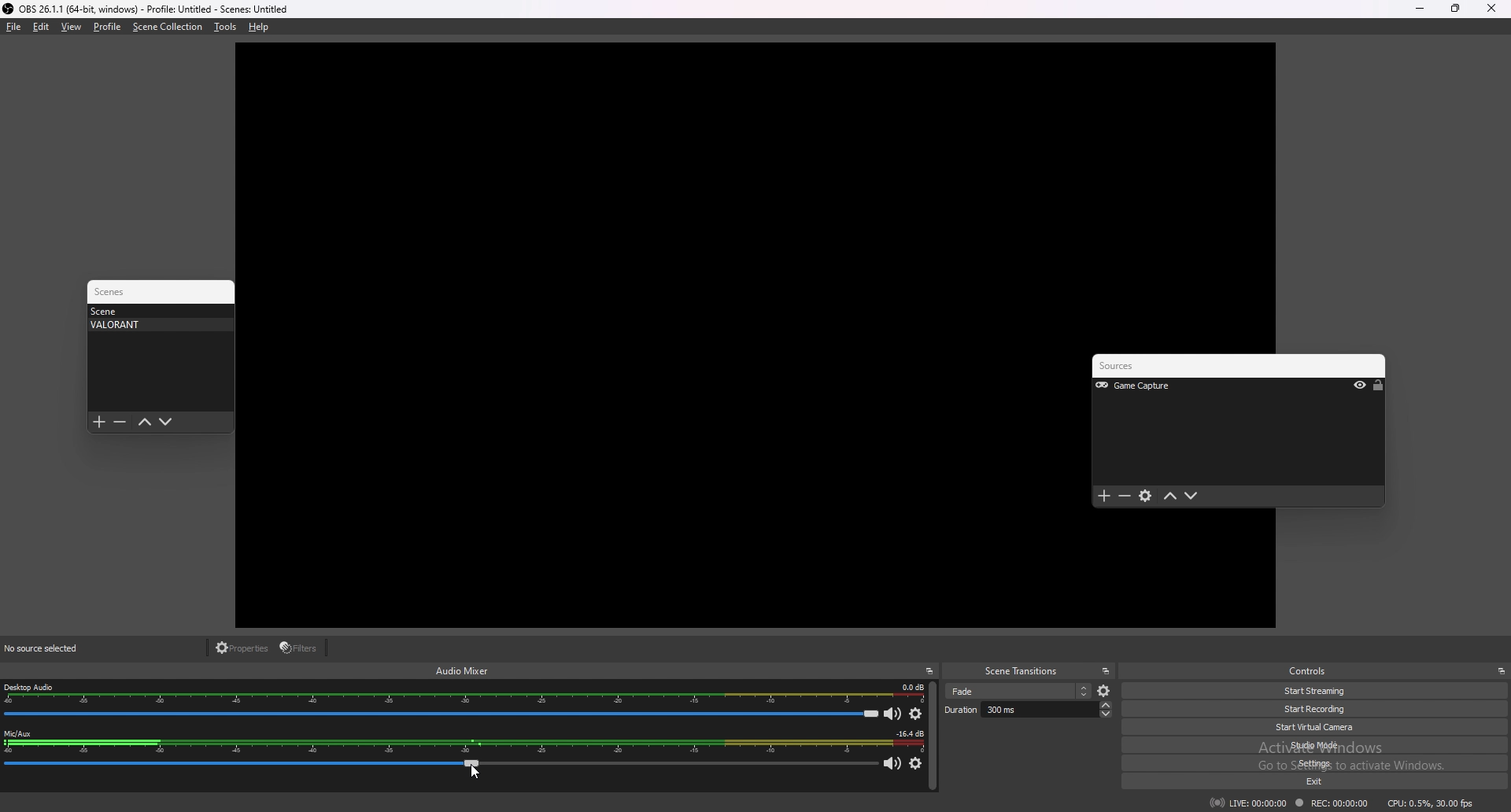 This screenshot has height=812, width=1511. What do you see at coordinates (473, 772) in the screenshot?
I see `cursor` at bounding box center [473, 772].